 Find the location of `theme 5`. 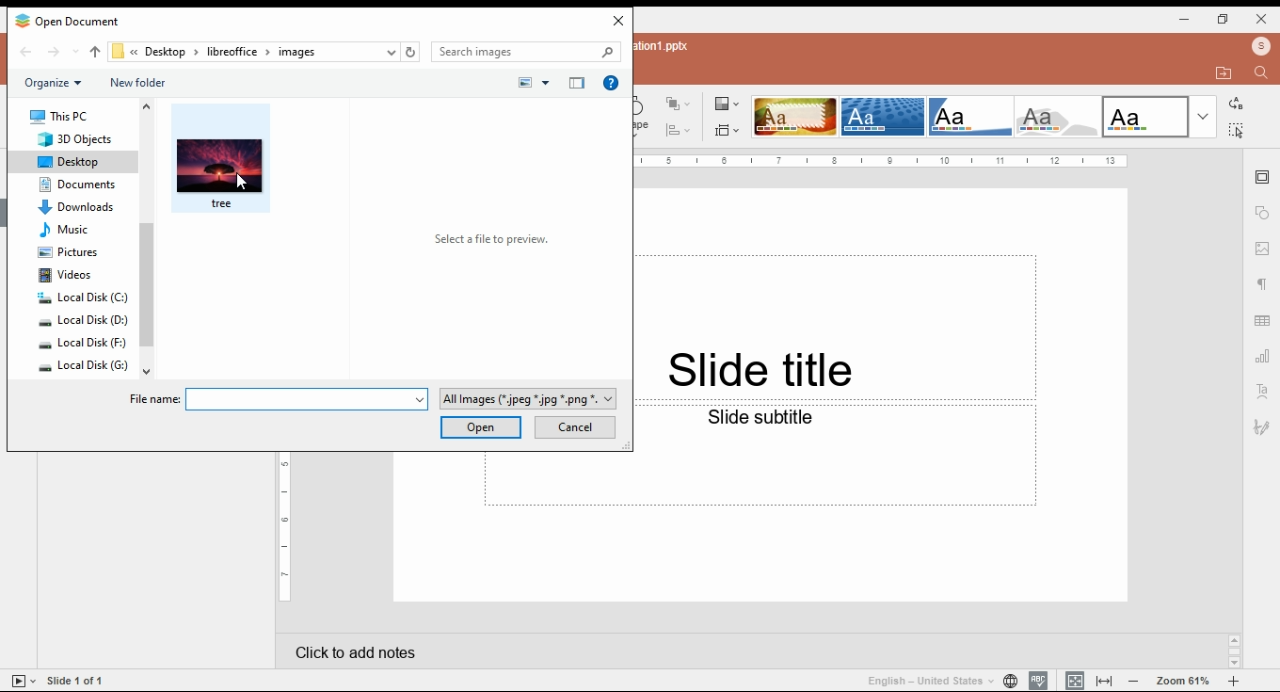

theme 5 is located at coordinates (1145, 117).